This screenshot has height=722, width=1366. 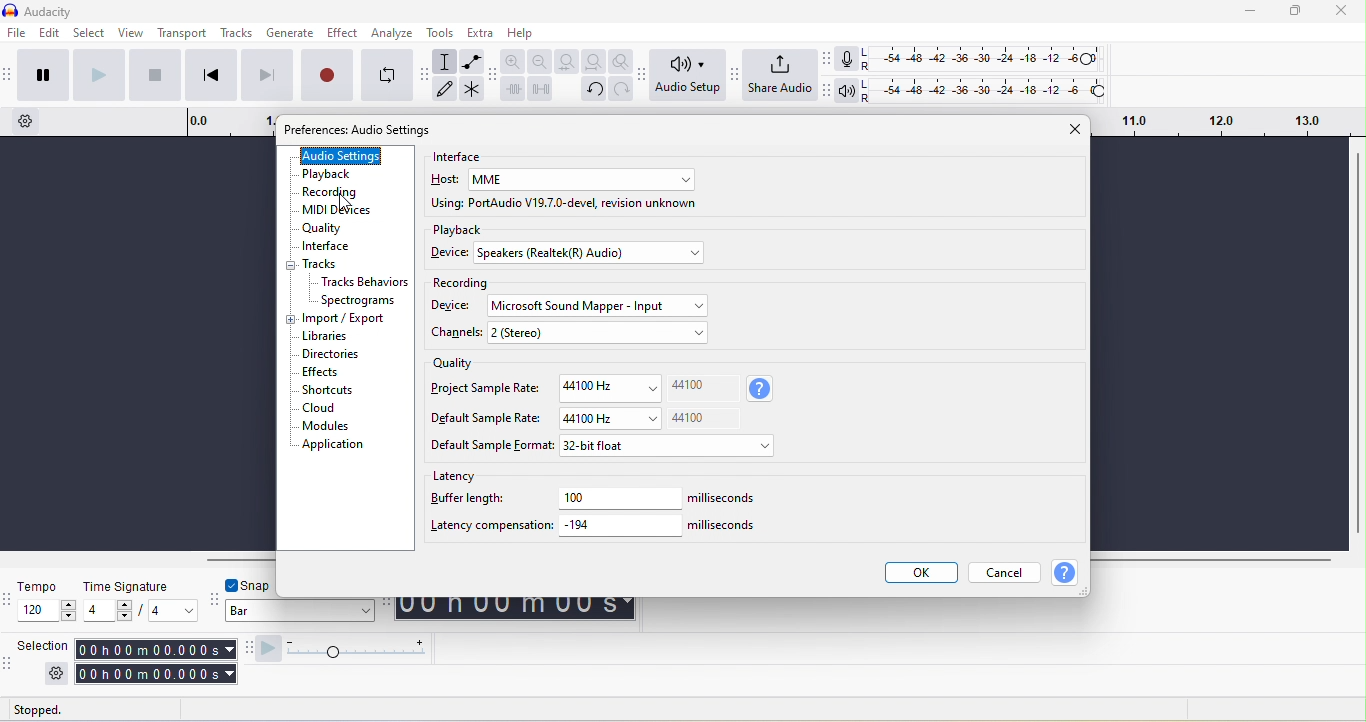 I want to click on spectograms, so click(x=353, y=300).